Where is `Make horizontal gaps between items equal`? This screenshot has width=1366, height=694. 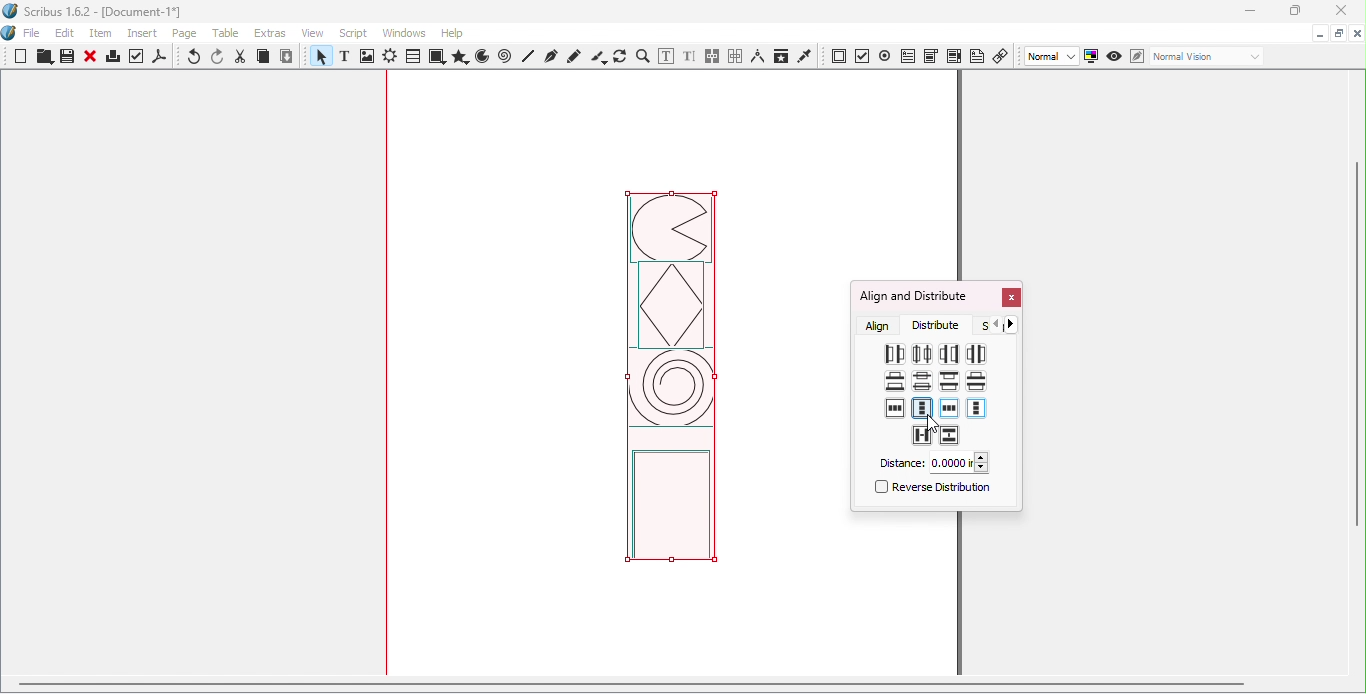
Make horizontal gaps between items equal is located at coordinates (977, 353).